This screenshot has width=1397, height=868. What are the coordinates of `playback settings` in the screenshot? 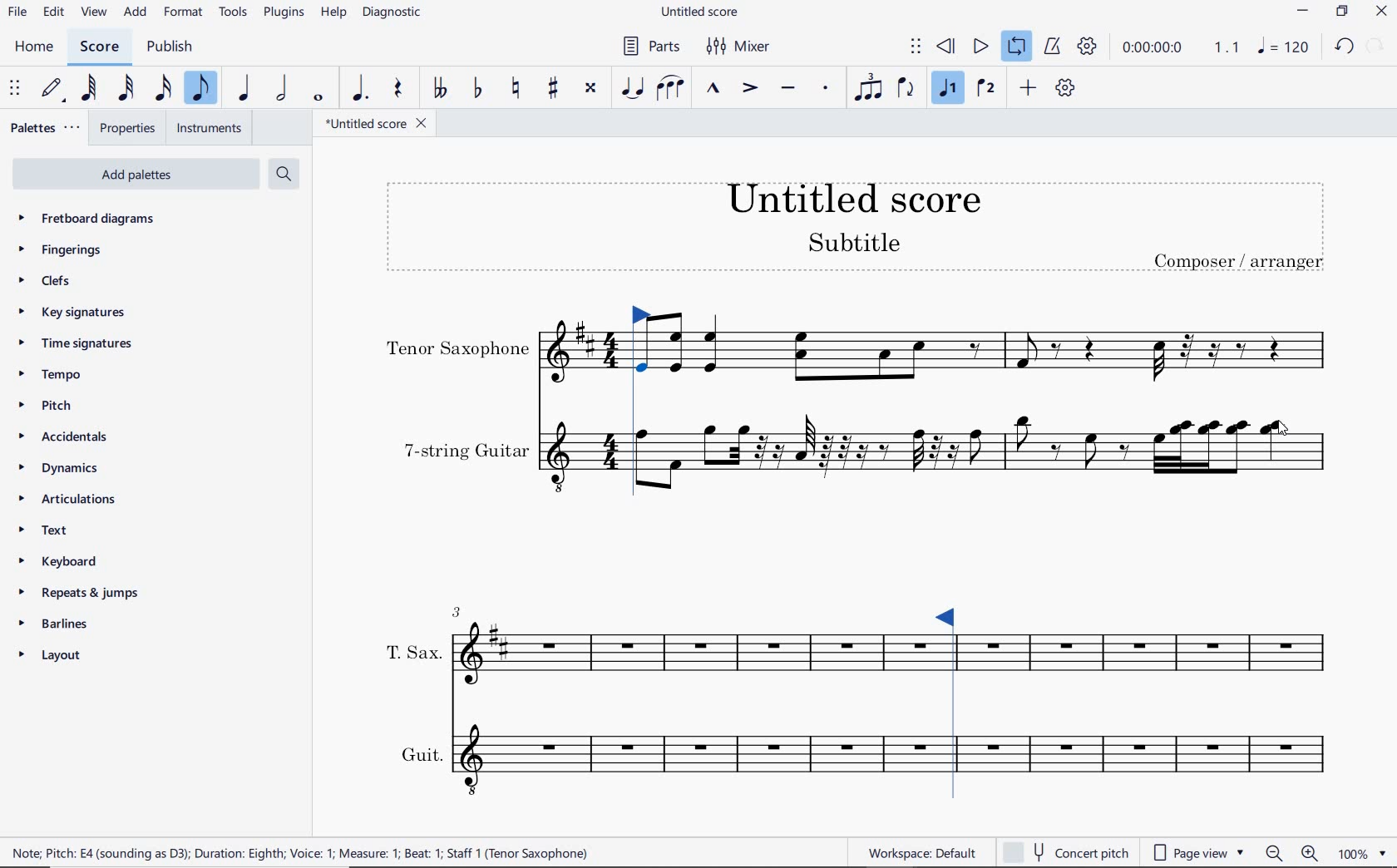 It's located at (1078, 89).